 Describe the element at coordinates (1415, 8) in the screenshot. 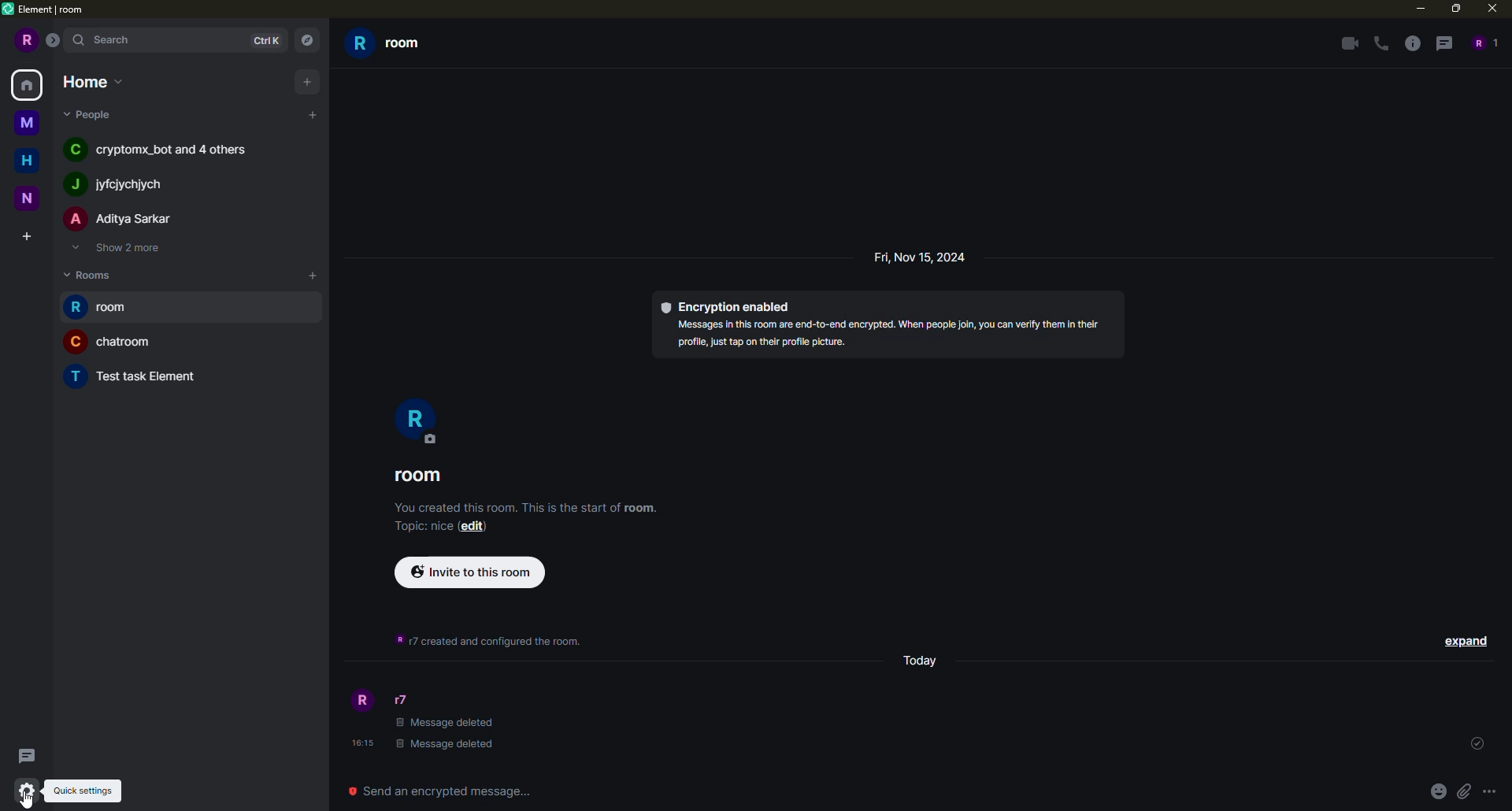

I see `minimize` at that location.